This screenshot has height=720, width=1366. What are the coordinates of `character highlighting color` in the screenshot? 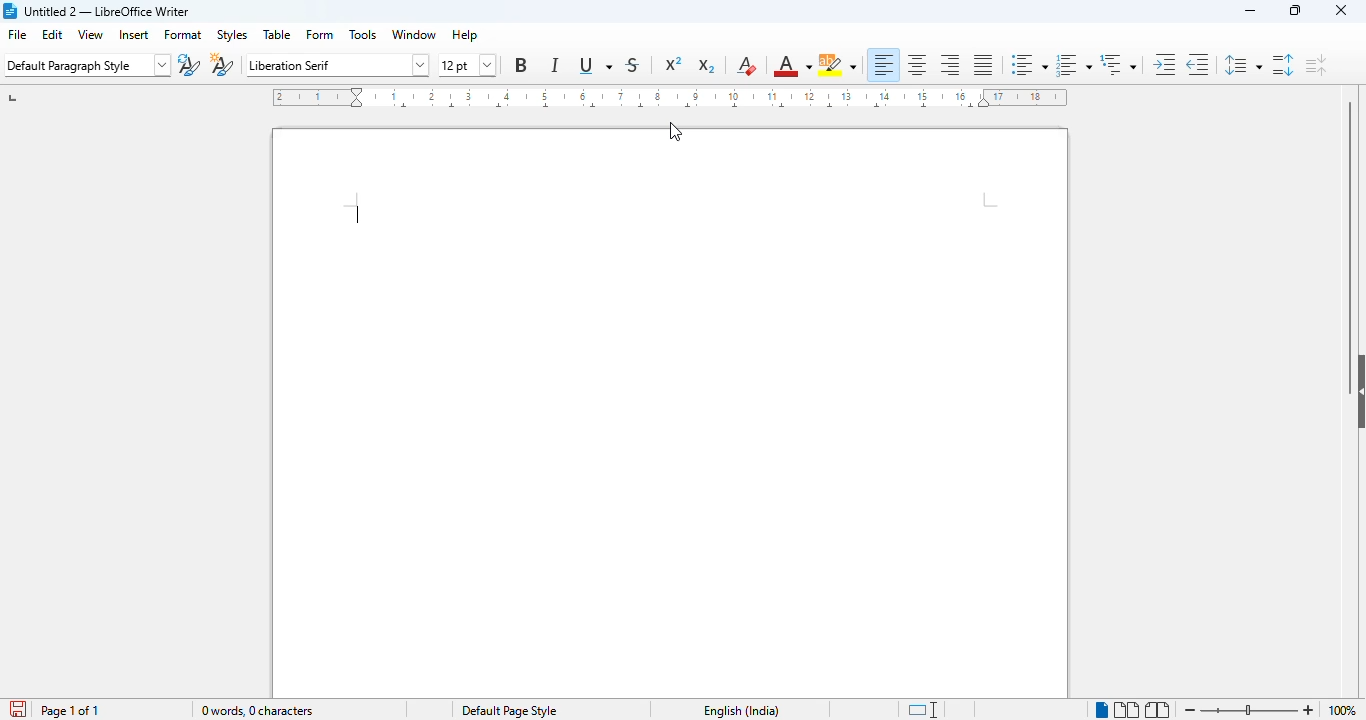 It's located at (838, 66).